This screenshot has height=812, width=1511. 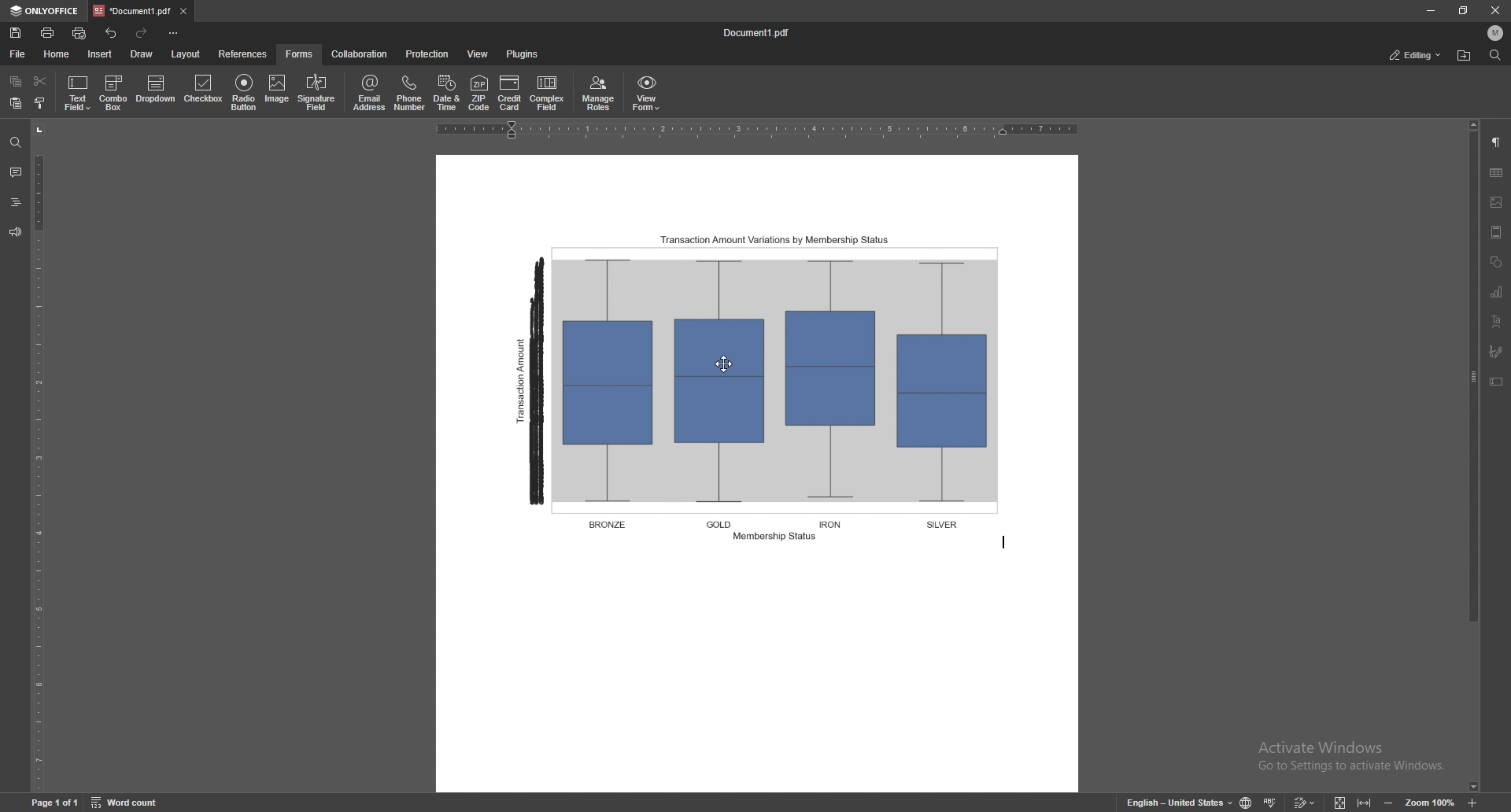 What do you see at coordinates (521, 54) in the screenshot?
I see `plugins` at bounding box center [521, 54].